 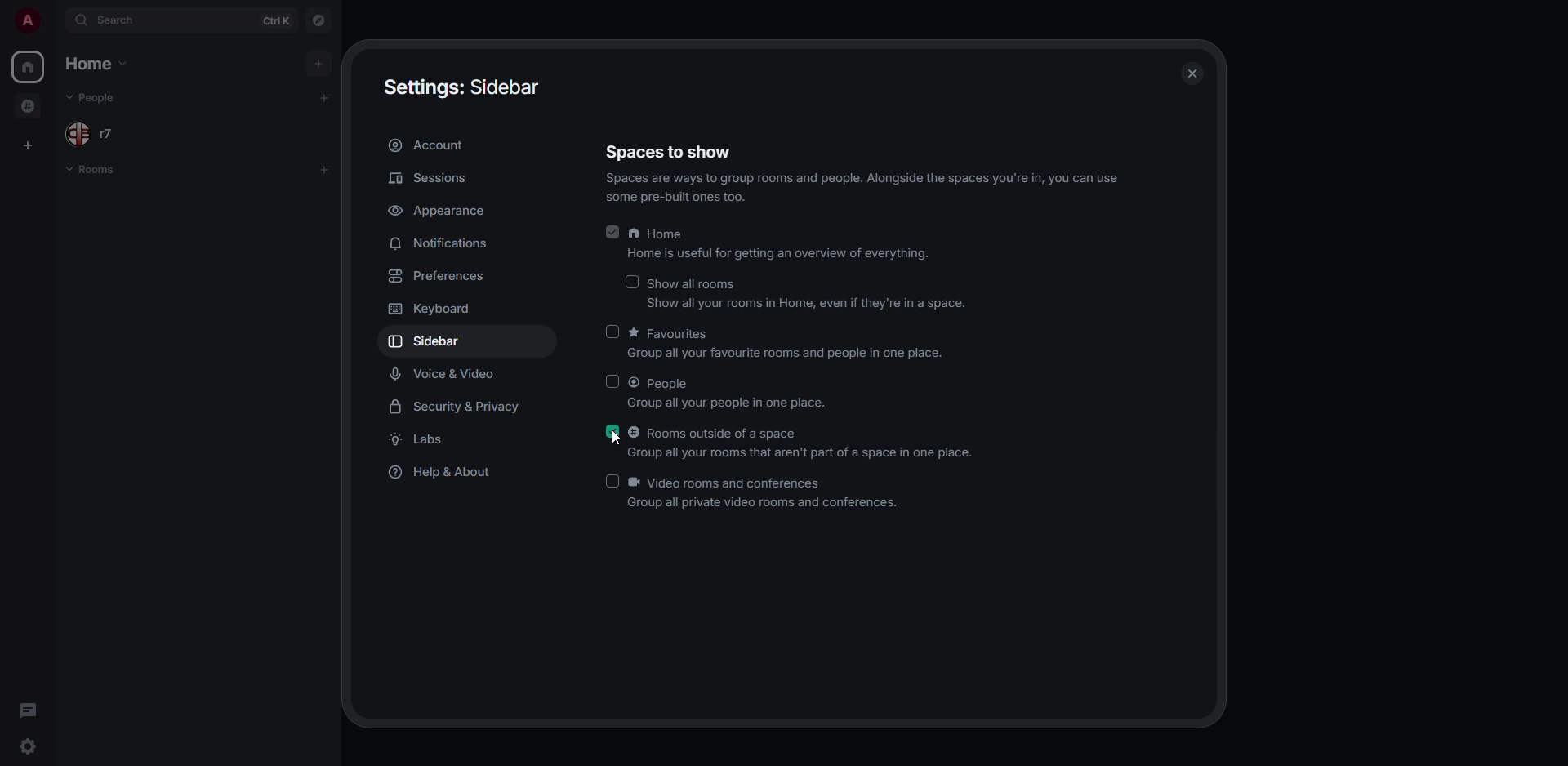 I want to click on search, so click(x=119, y=21).